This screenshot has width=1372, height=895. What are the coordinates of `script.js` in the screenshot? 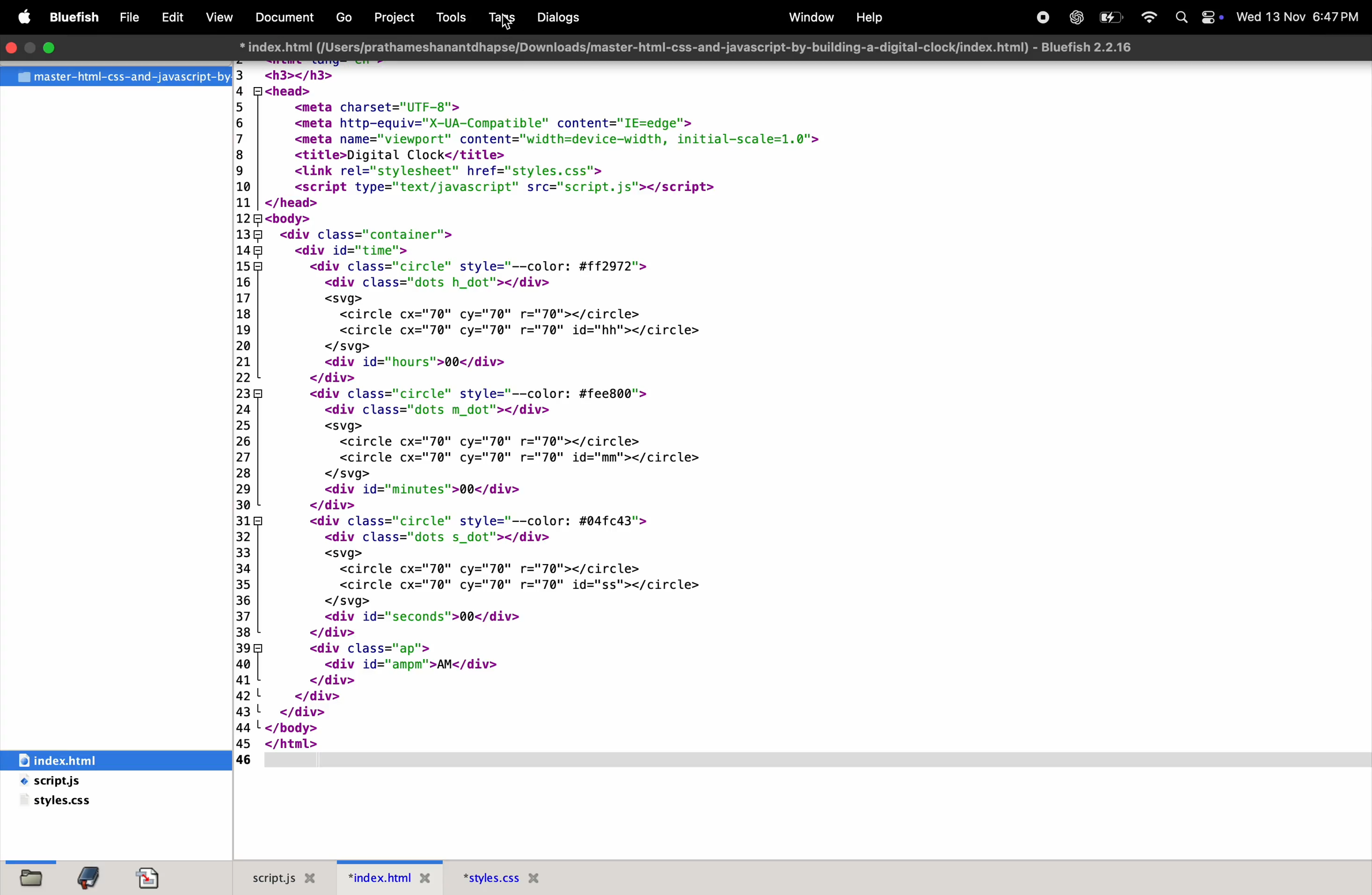 It's located at (78, 782).